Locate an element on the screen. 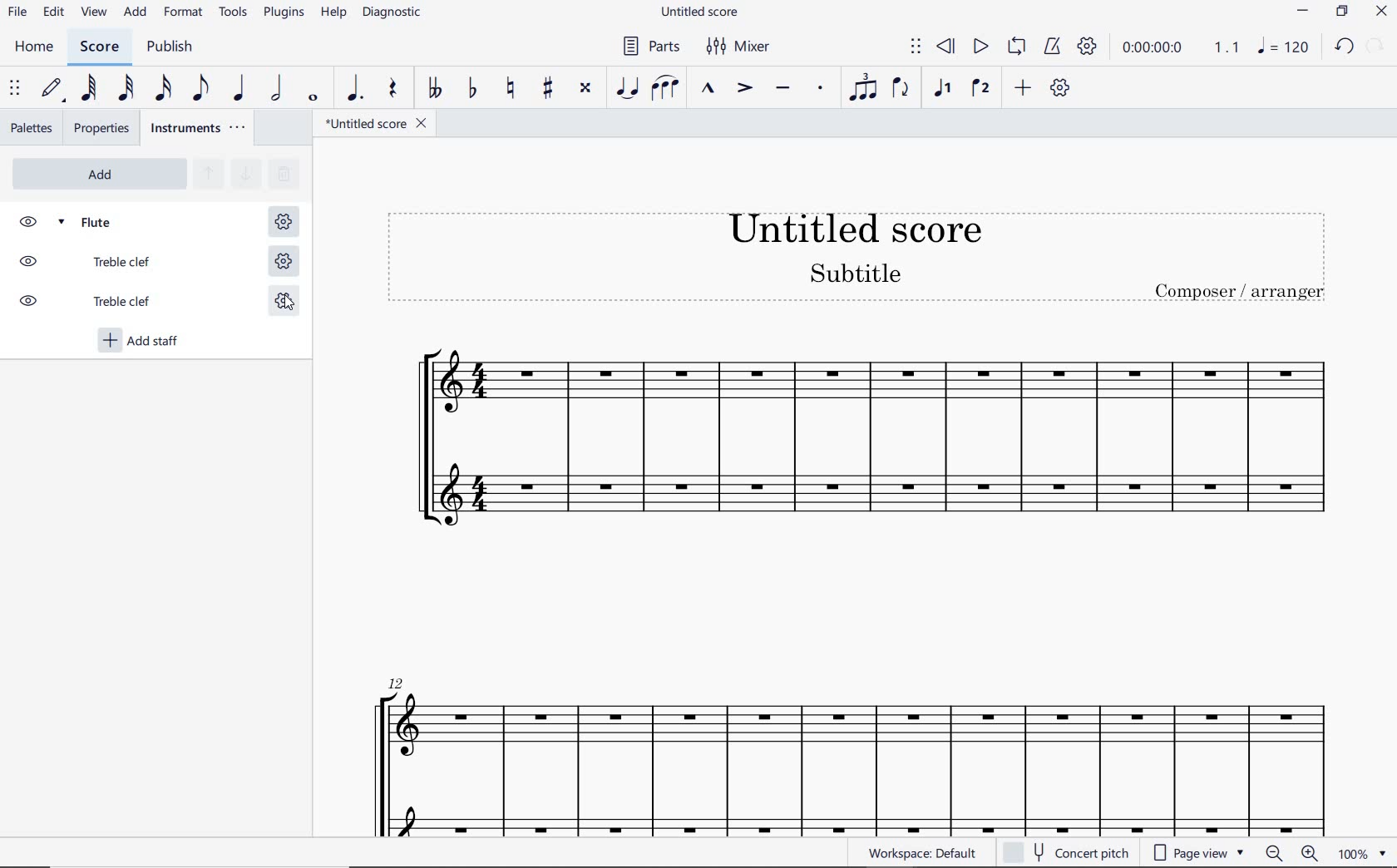 The height and width of the screenshot is (868, 1397). CLOSE is located at coordinates (1381, 12).